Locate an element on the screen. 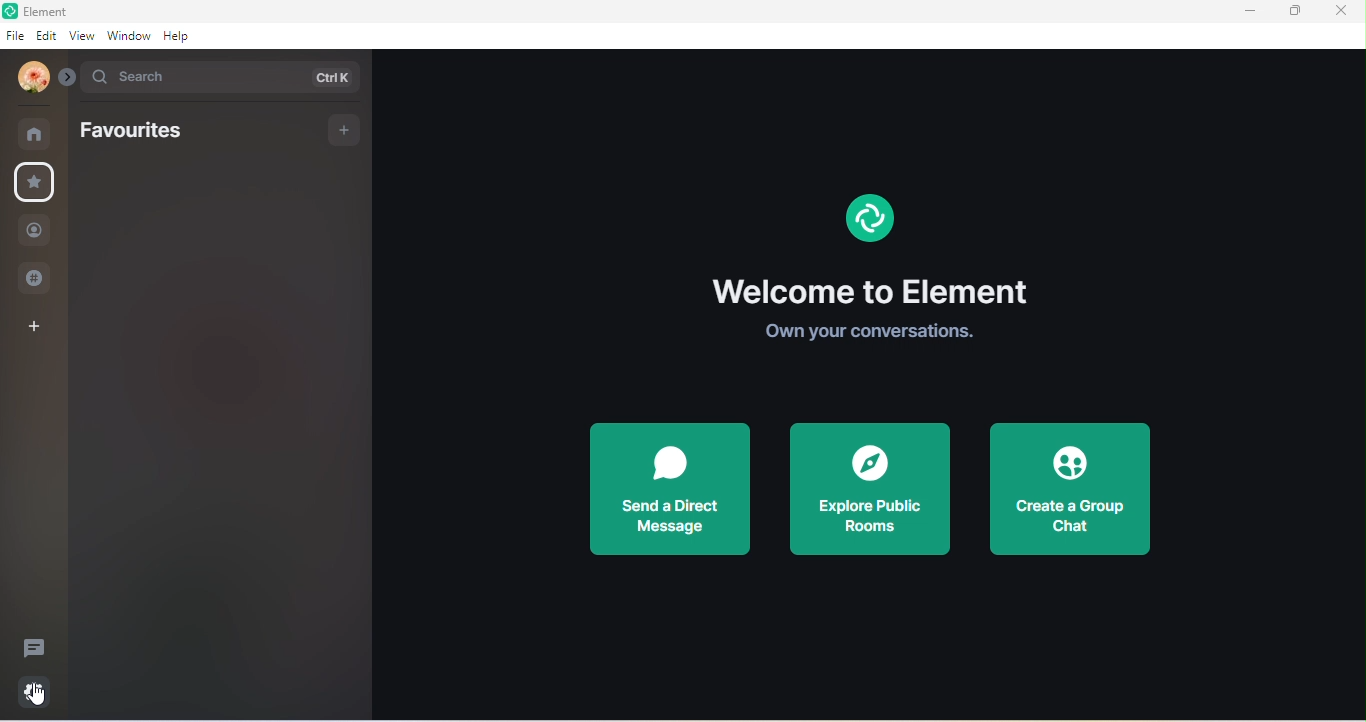 The image size is (1366, 722). favourites is located at coordinates (132, 132).